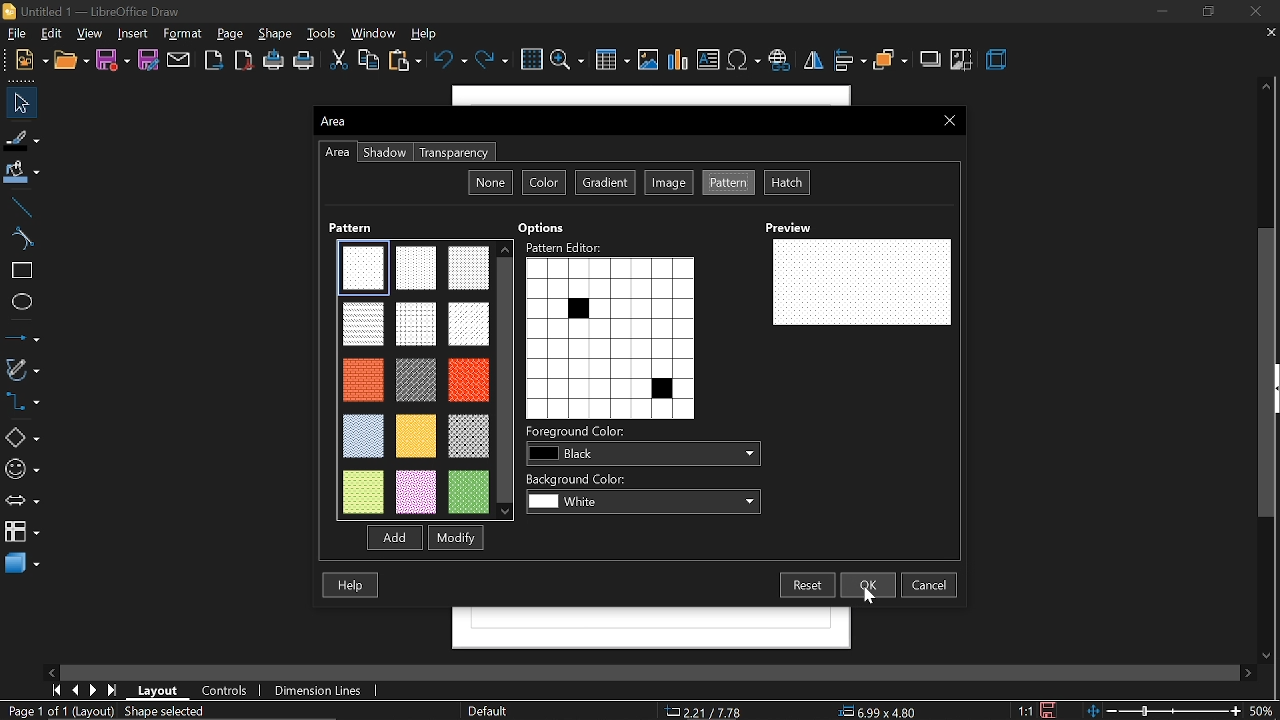  What do you see at coordinates (336, 156) in the screenshot?
I see `Area` at bounding box center [336, 156].